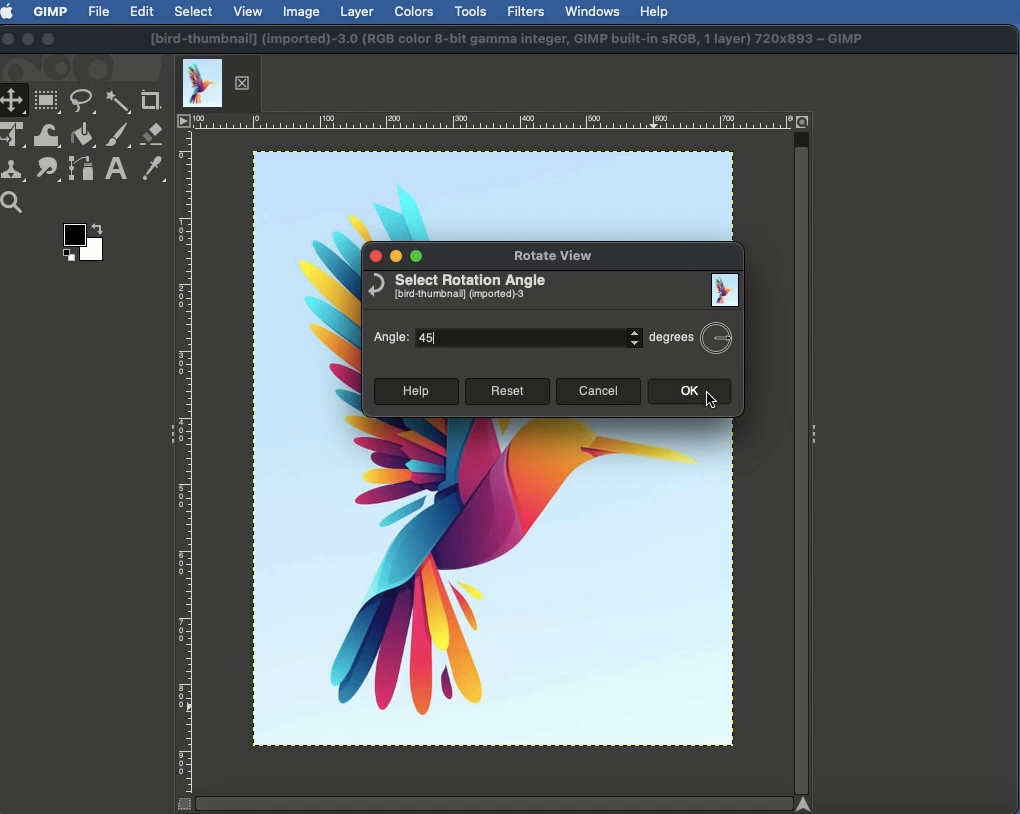 This screenshot has width=1020, height=814. I want to click on Reset, so click(507, 391).